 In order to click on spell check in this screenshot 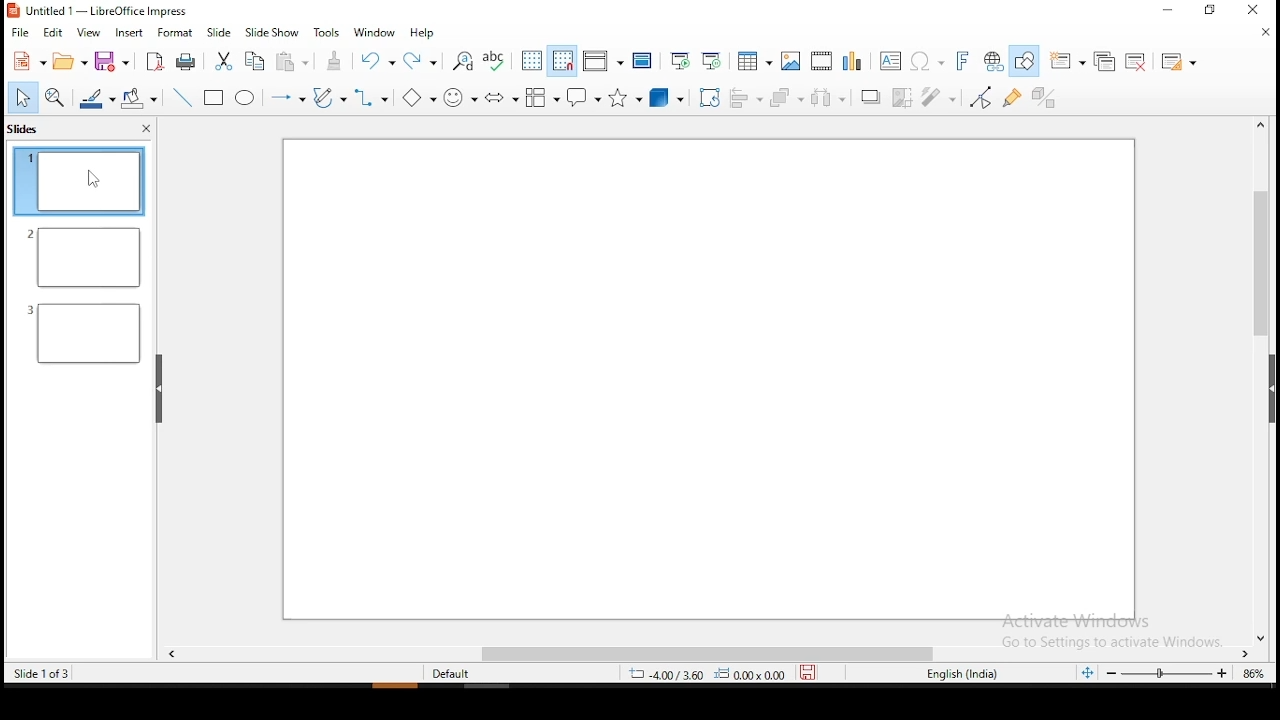, I will do `click(498, 63)`.